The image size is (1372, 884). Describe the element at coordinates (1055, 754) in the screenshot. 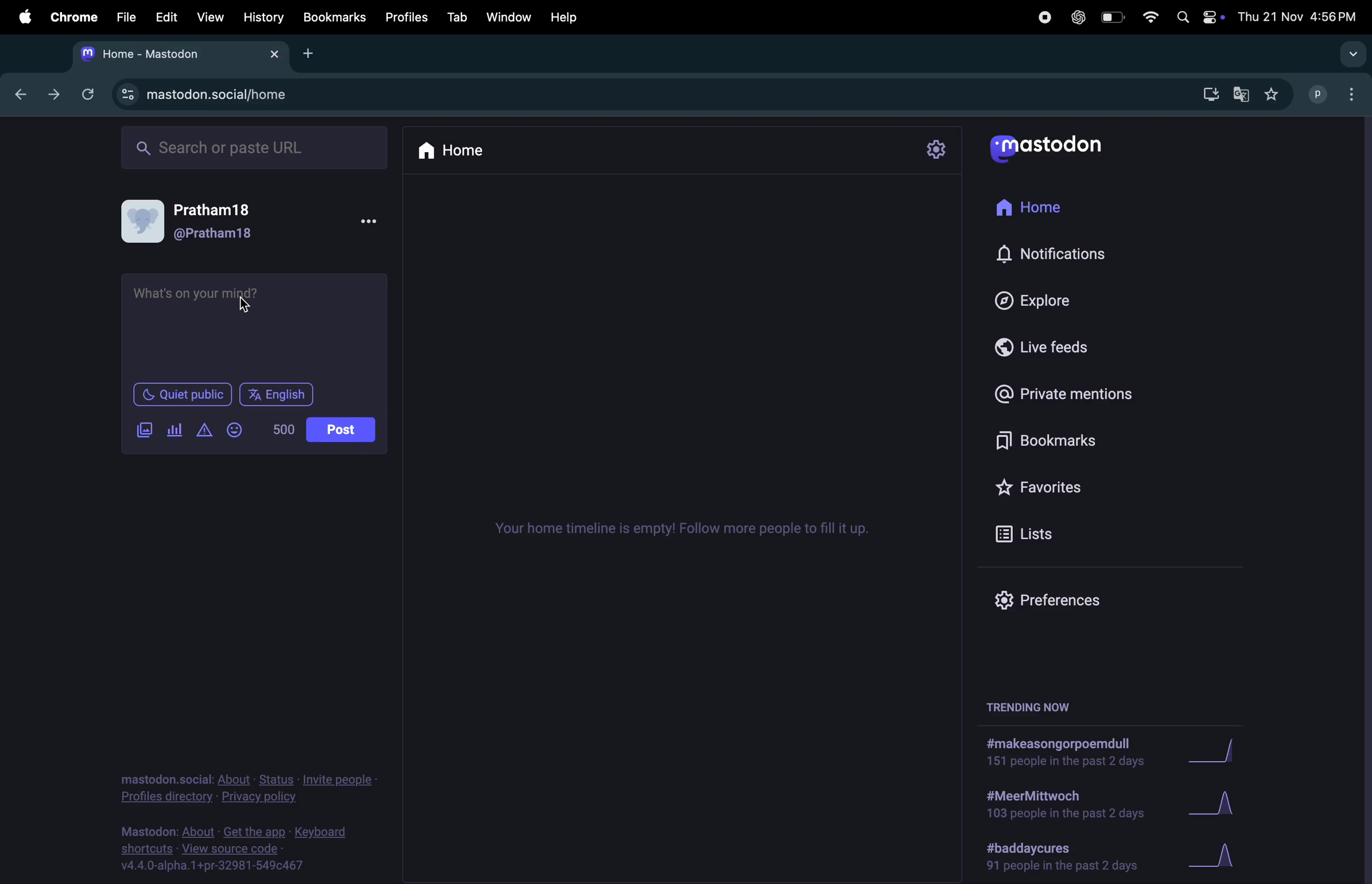

I see `hastag` at that location.